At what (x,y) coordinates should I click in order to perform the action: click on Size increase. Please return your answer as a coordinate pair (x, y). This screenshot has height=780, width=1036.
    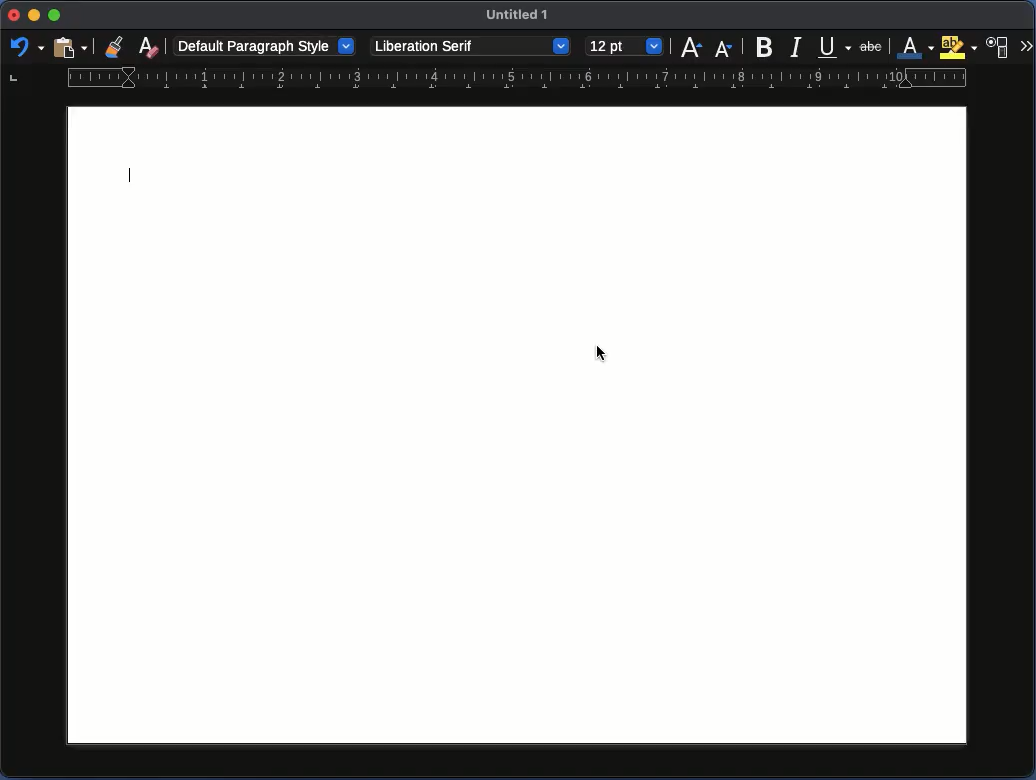
    Looking at the image, I should click on (693, 47).